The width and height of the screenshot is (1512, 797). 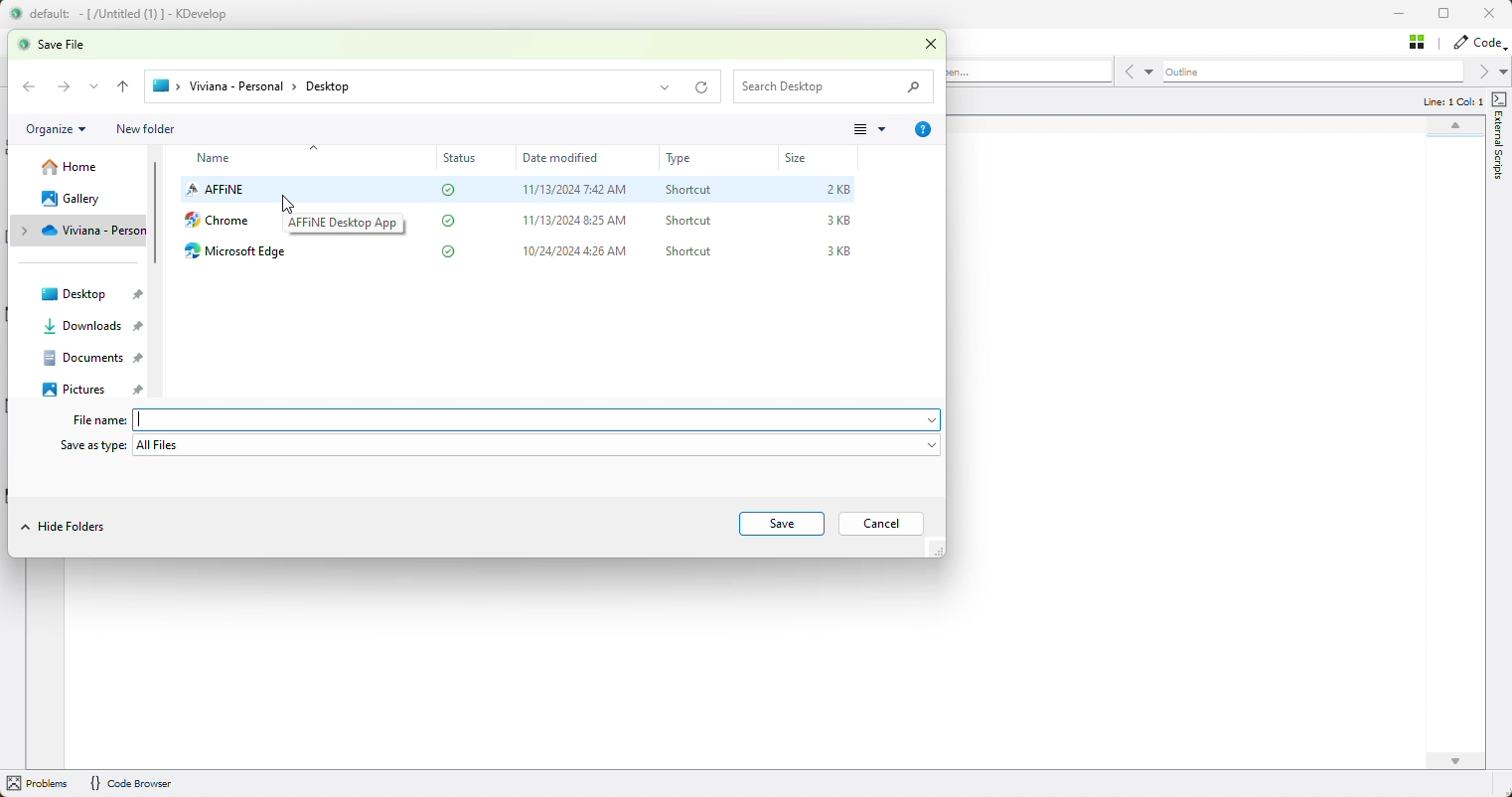 I want to click on File name:, so click(x=99, y=421).